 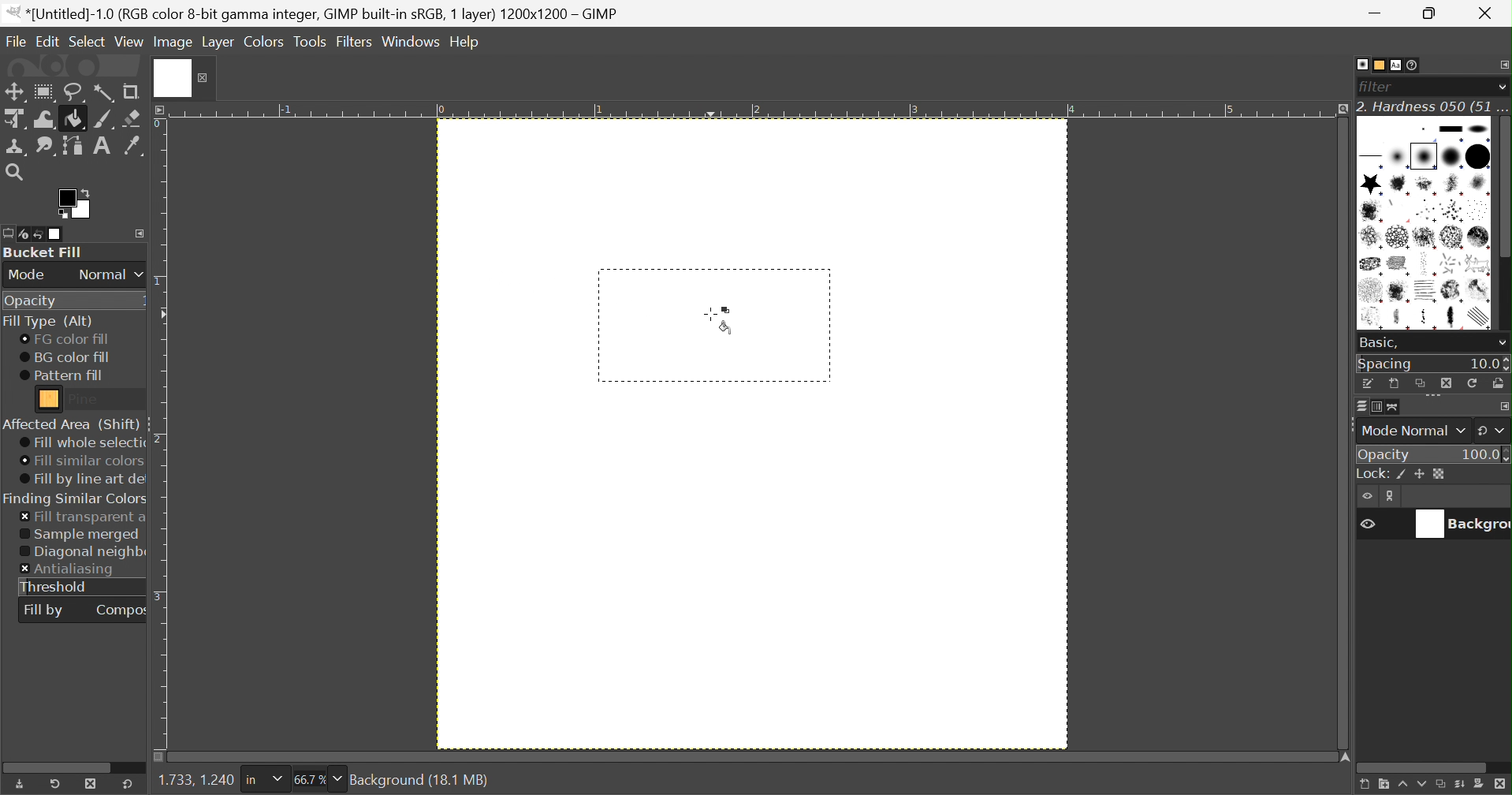 What do you see at coordinates (1380, 87) in the screenshot?
I see `Filter` at bounding box center [1380, 87].